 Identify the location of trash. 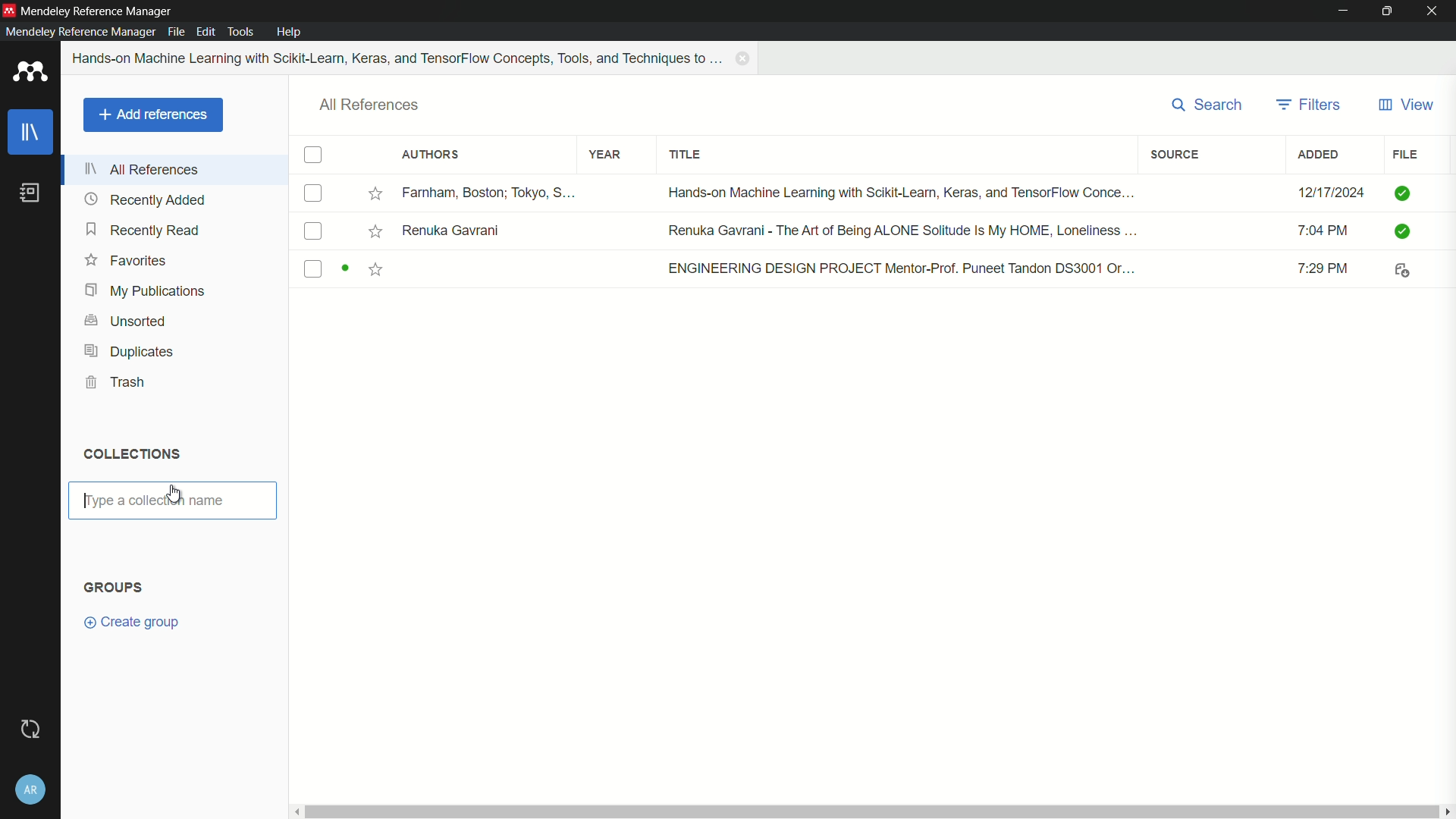
(117, 383).